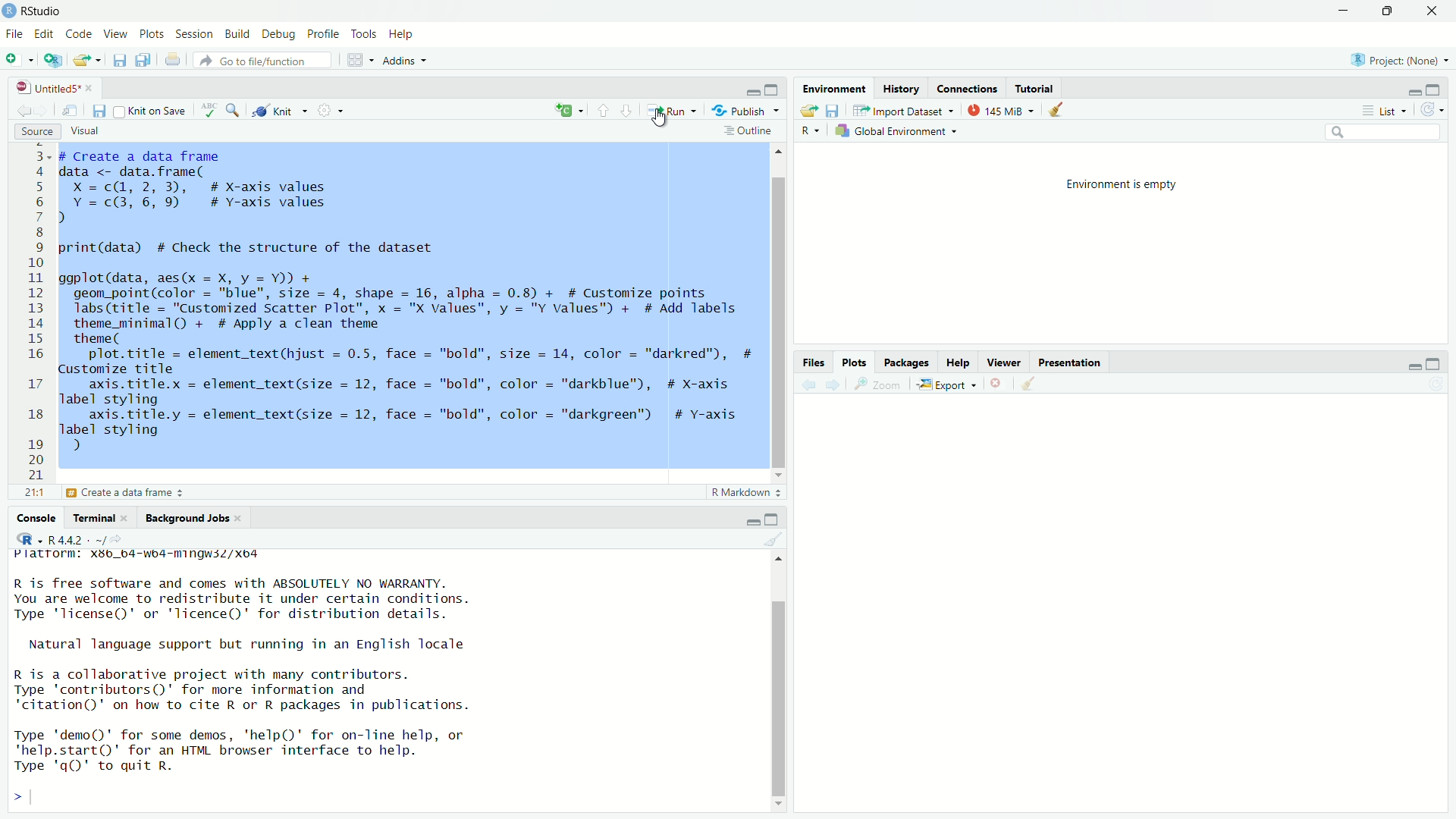 The height and width of the screenshot is (819, 1456). What do you see at coordinates (899, 130) in the screenshot?
I see `Global Environment` at bounding box center [899, 130].